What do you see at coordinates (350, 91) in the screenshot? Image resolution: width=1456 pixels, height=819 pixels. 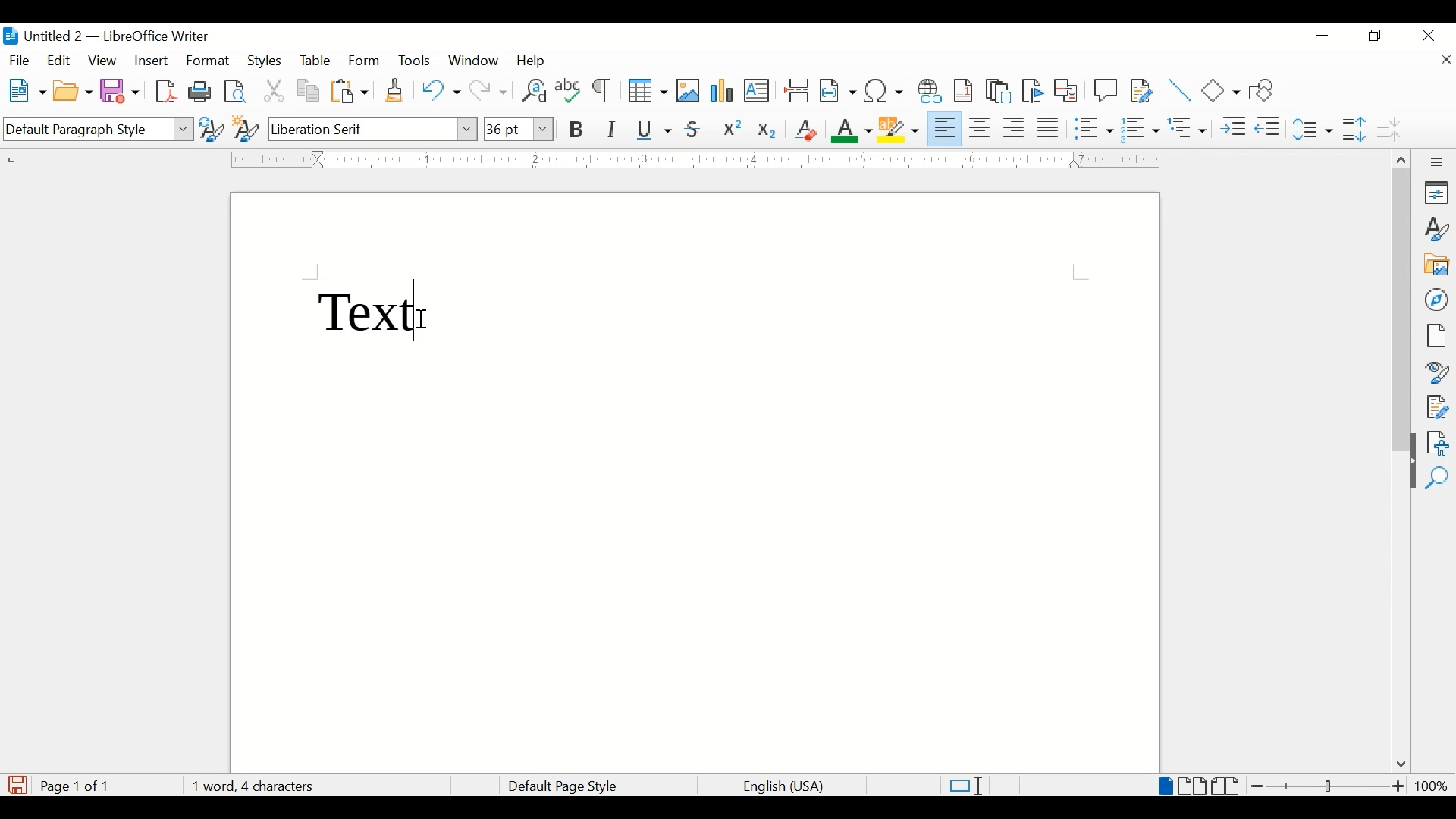 I see `paste ` at bounding box center [350, 91].